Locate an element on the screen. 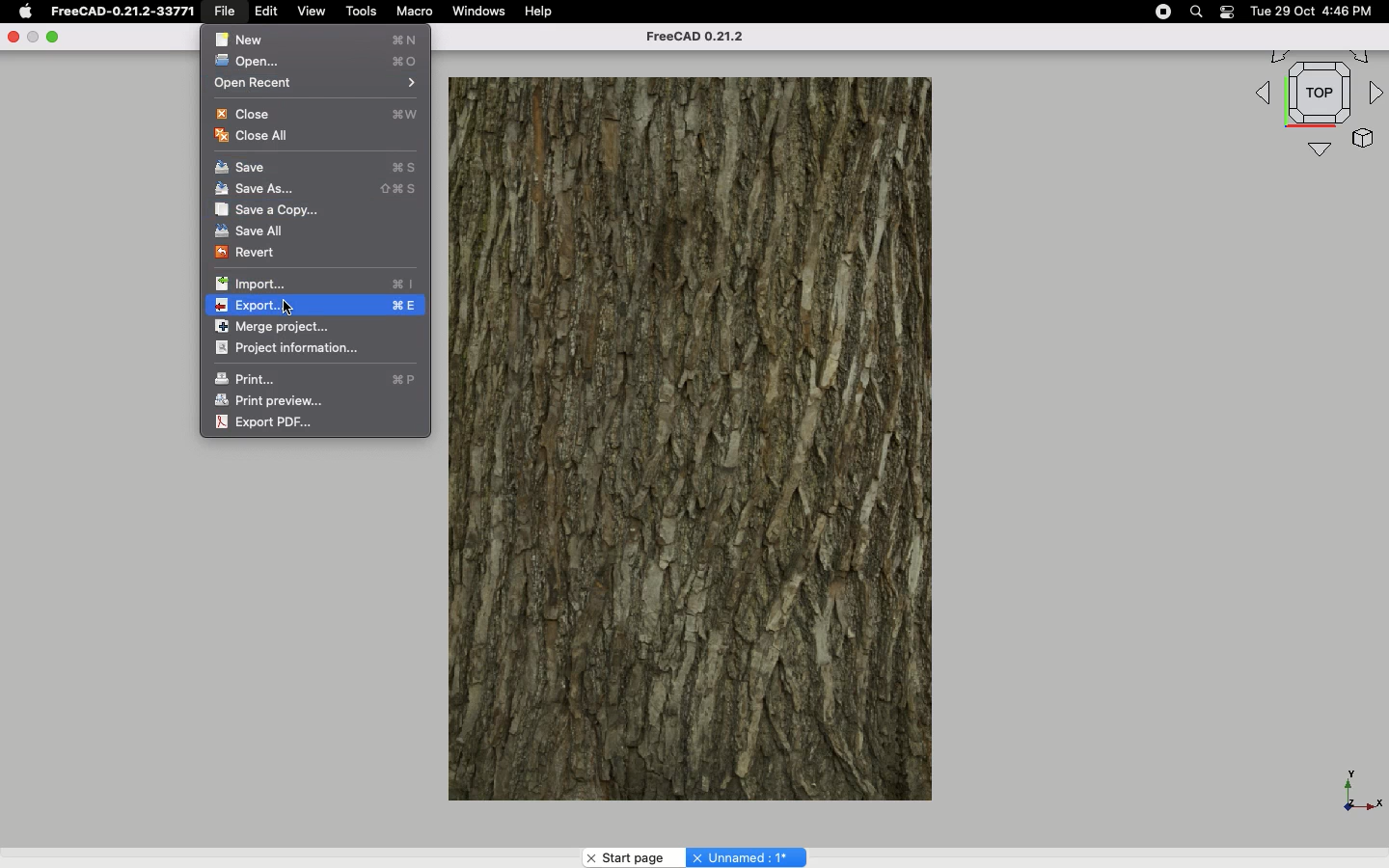 The height and width of the screenshot is (868, 1389). Axis is located at coordinates (1357, 786).